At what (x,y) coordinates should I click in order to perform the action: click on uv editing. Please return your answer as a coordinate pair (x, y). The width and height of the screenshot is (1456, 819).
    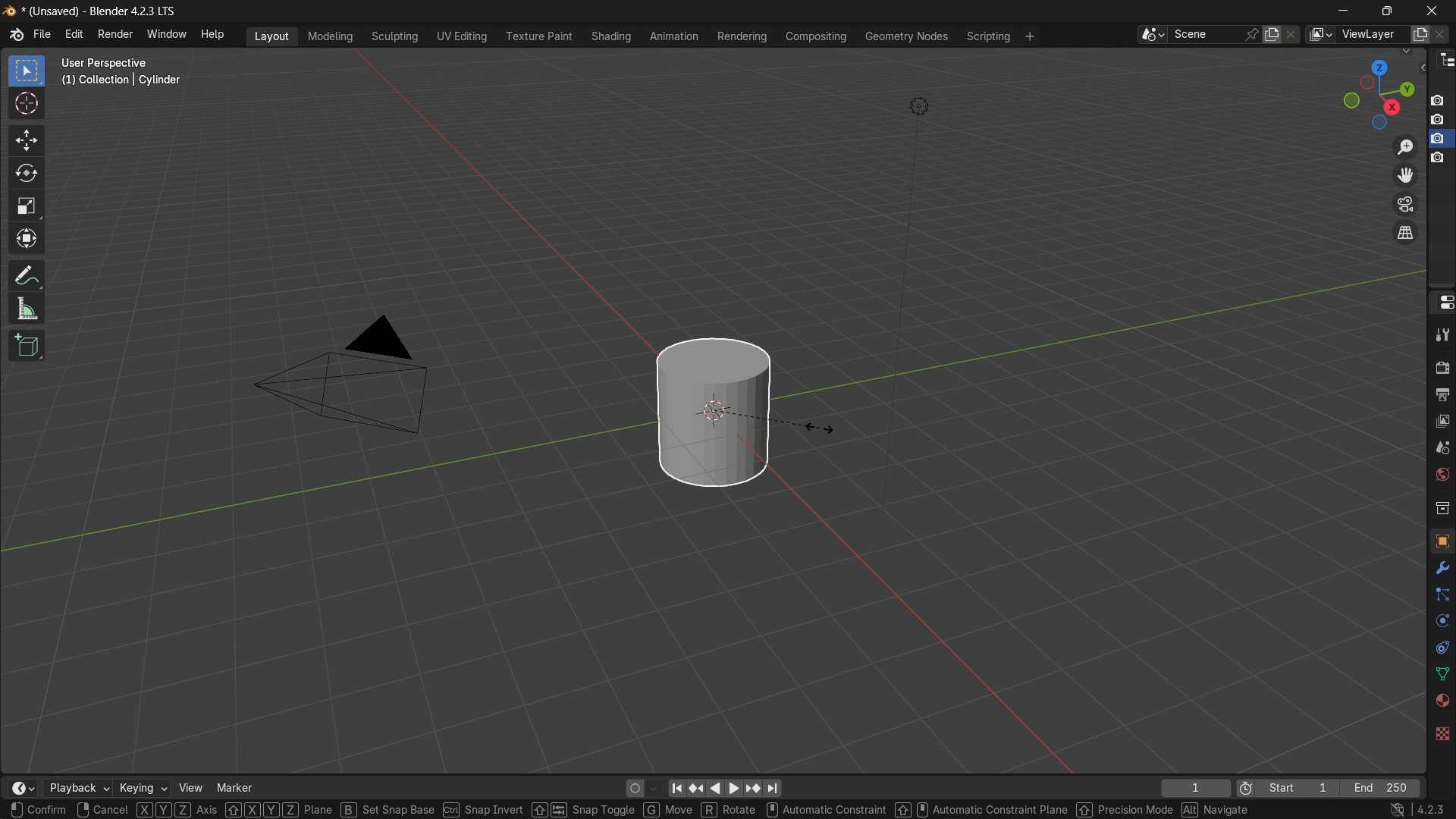
    Looking at the image, I should click on (461, 36).